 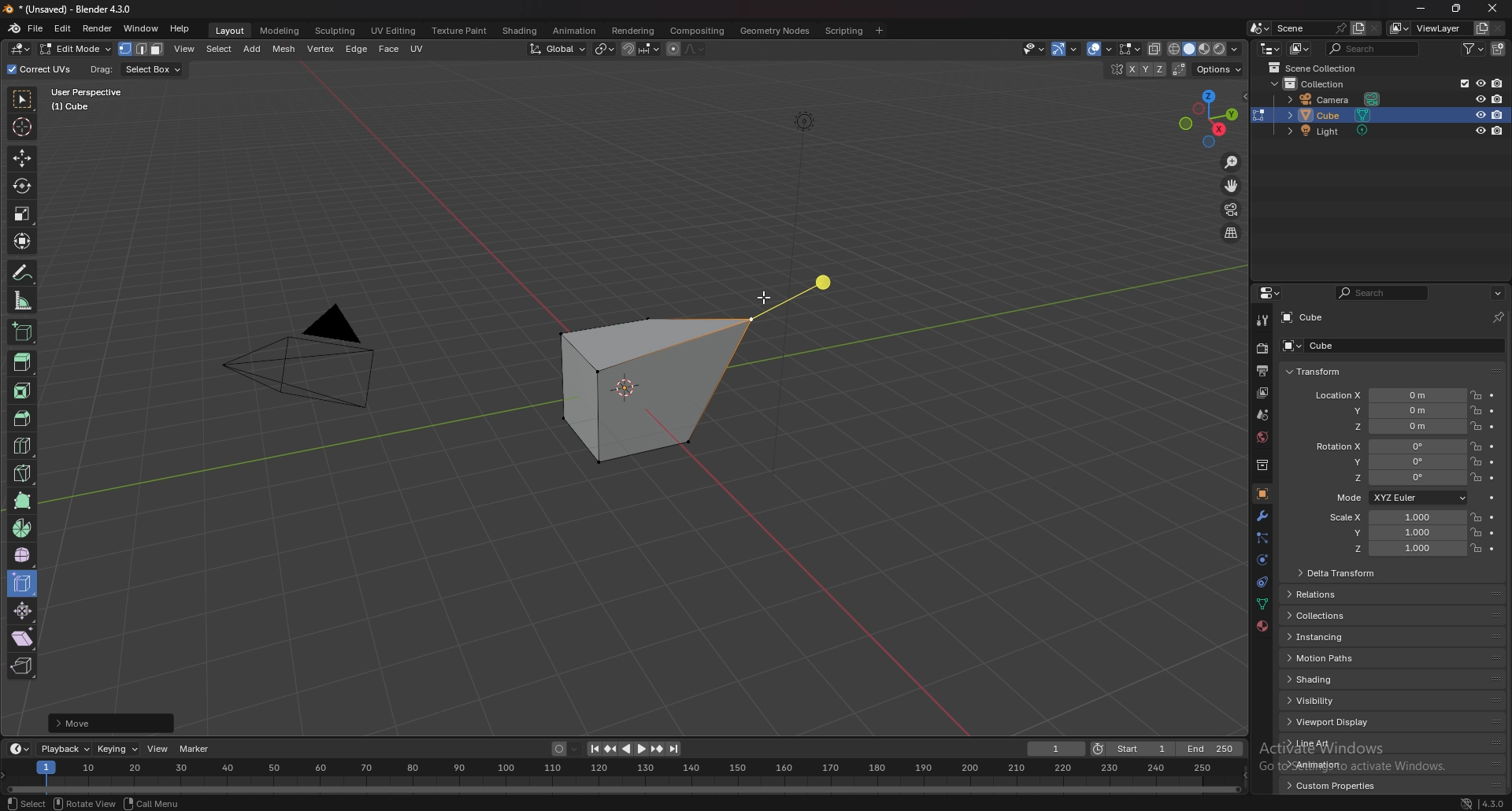 What do you see at coordinates (1399, 550) in the screenshot?
I see `scale z` at bounding box center [1399, 550].